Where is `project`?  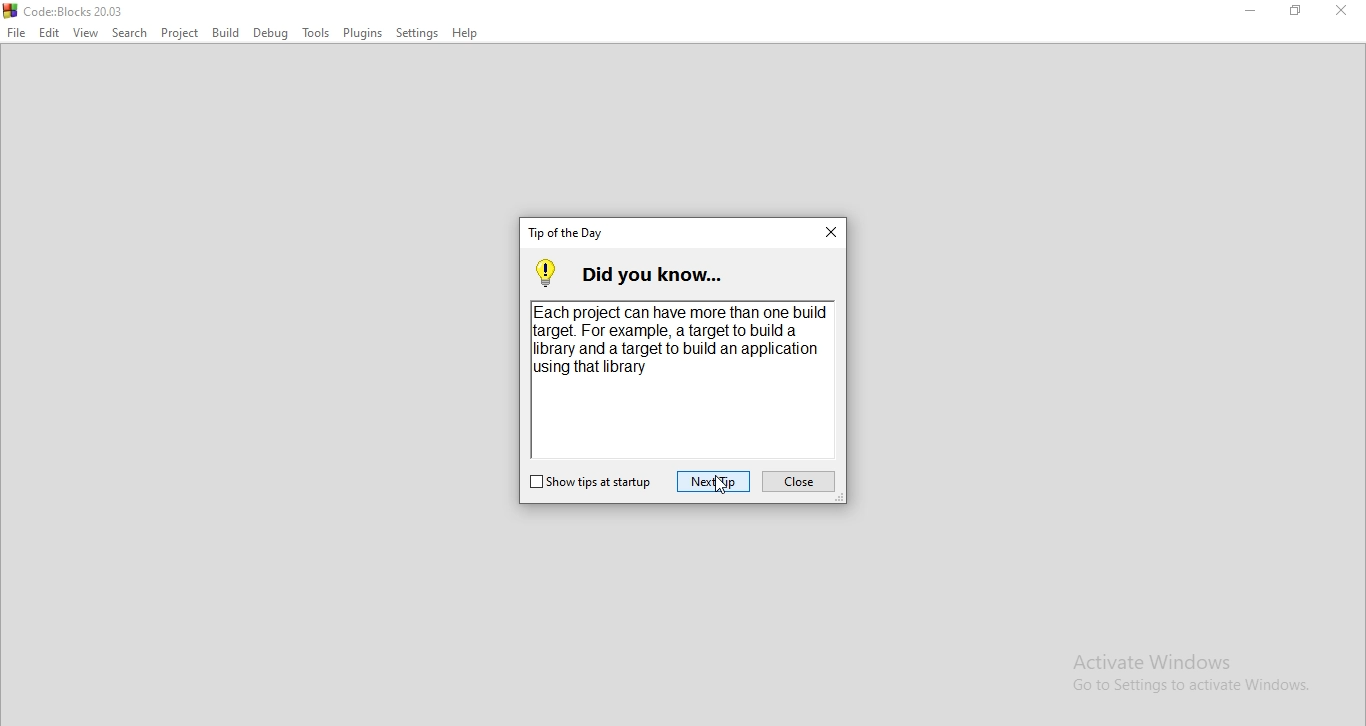
project is located at coordinates (177, 33).